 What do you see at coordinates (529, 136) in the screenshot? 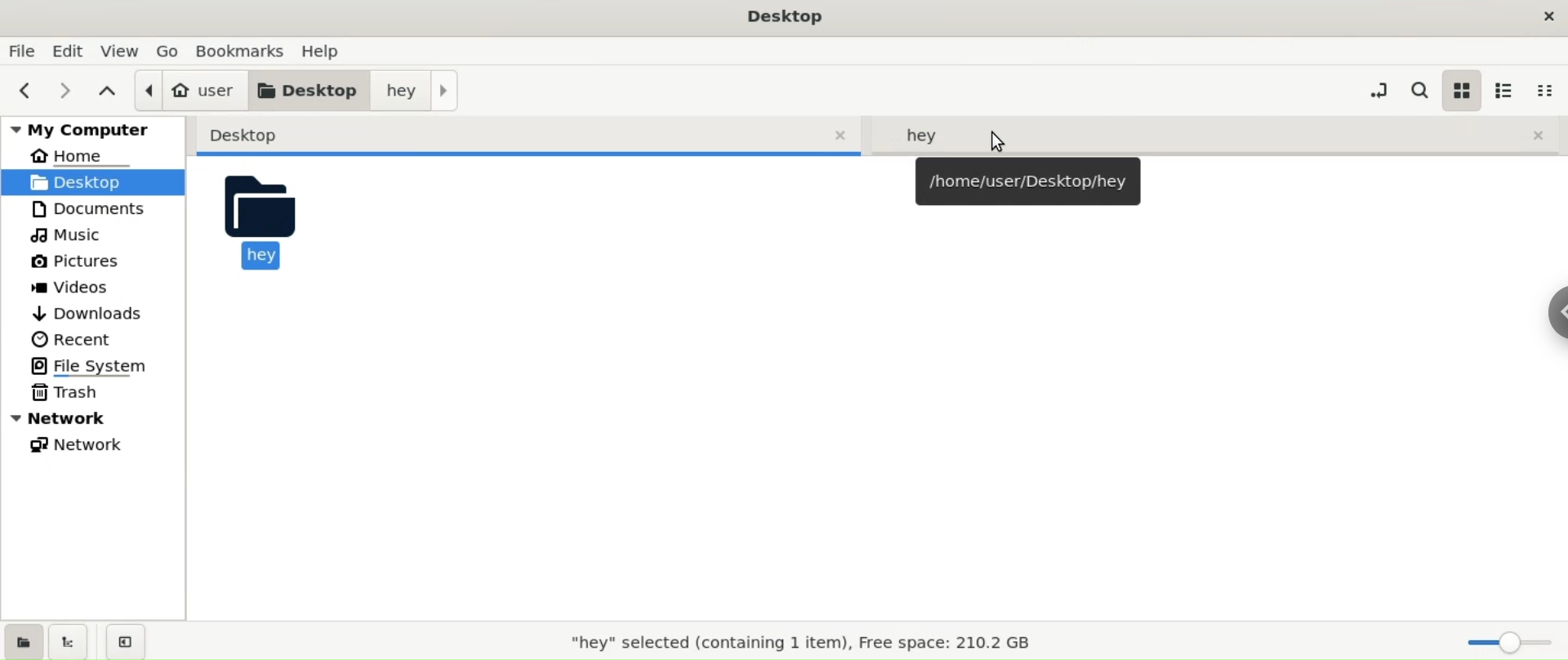
I see `desktop` at bounding box center [529, 136].